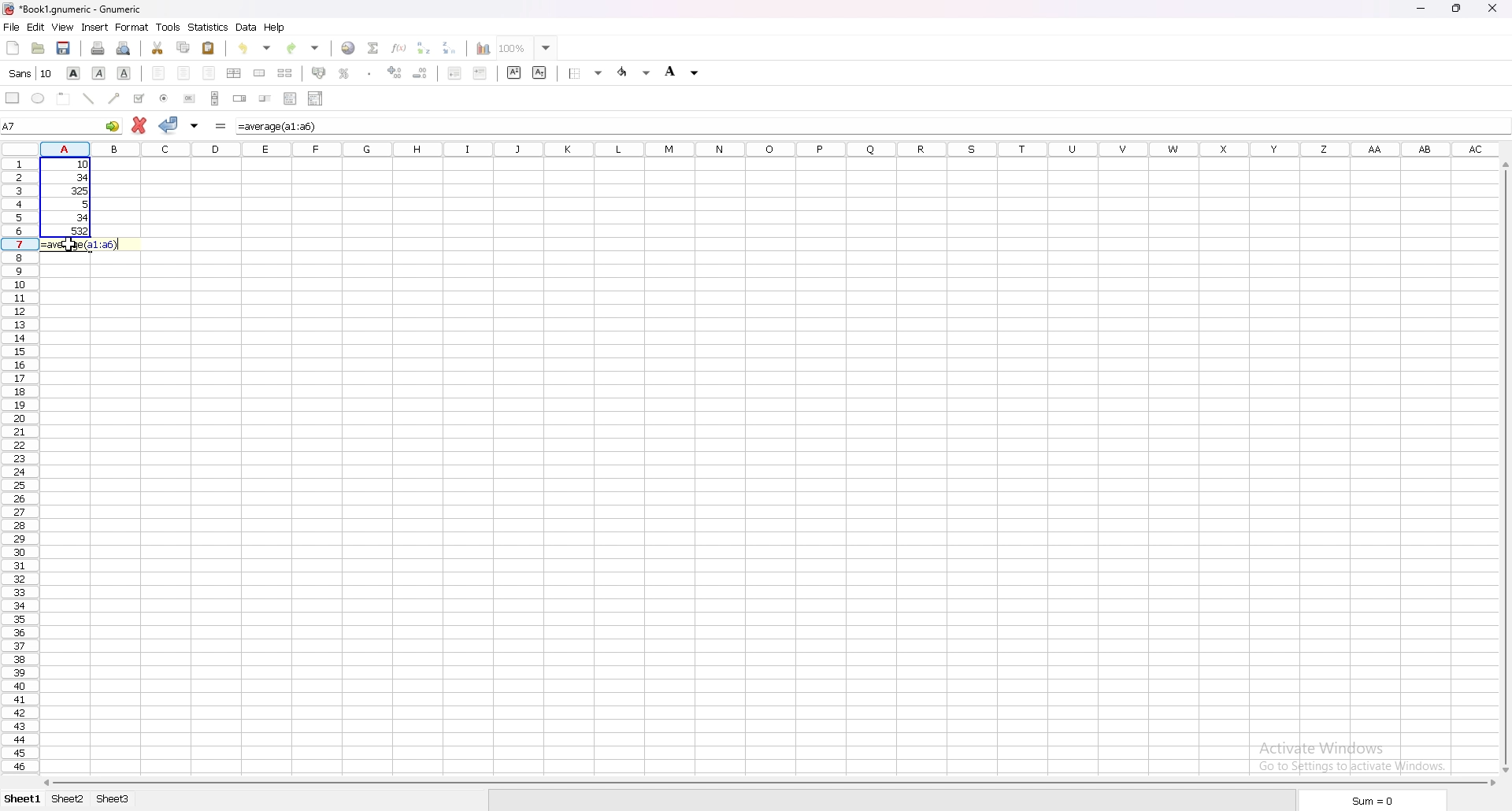 The width and height of the screenshot is (1512, 811). What do you see at coordinates (315, 97) in the screenshot?
I see `combo box` at bounding box center [315, 97].